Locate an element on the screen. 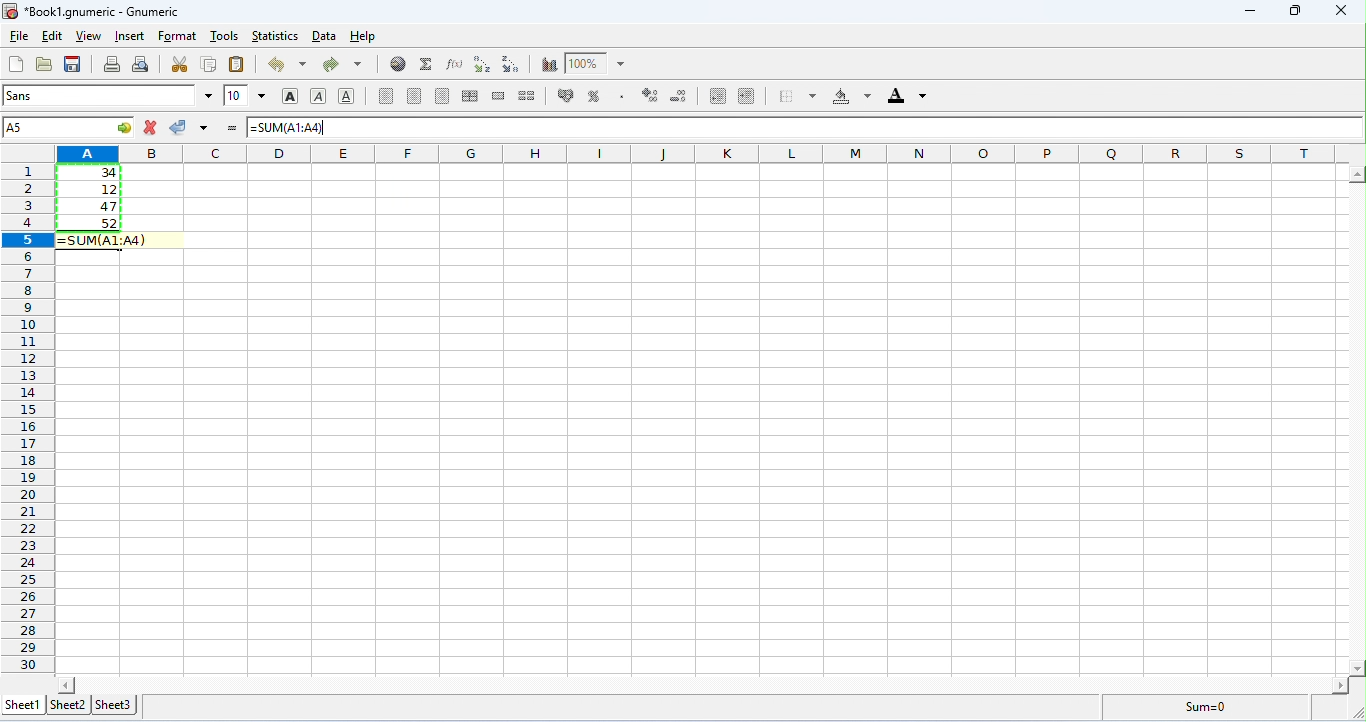 The width and height of the screenshot is (1366, 722). background is located at coordinates (852, 96).